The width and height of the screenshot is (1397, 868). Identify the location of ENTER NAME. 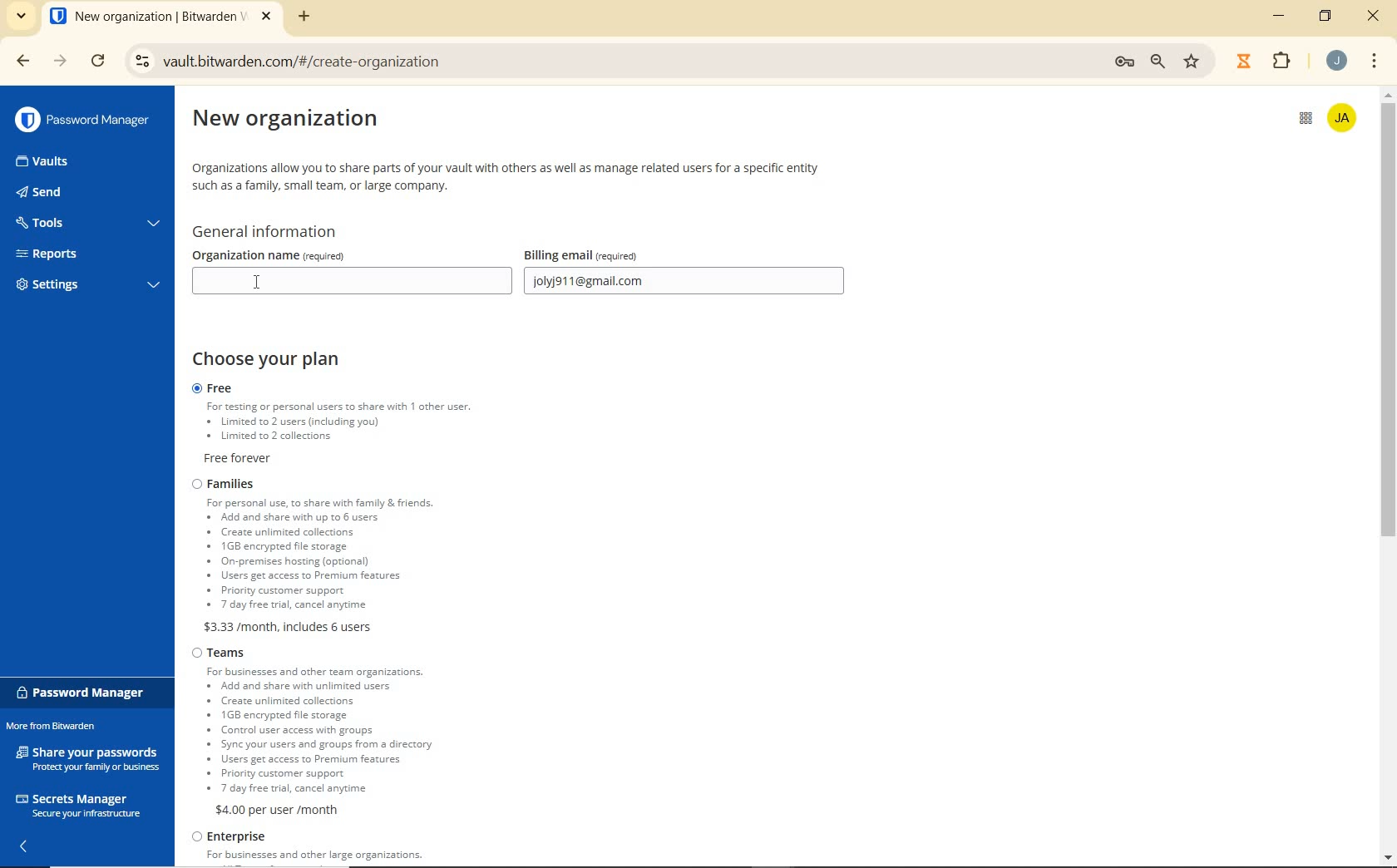
(348, 281).